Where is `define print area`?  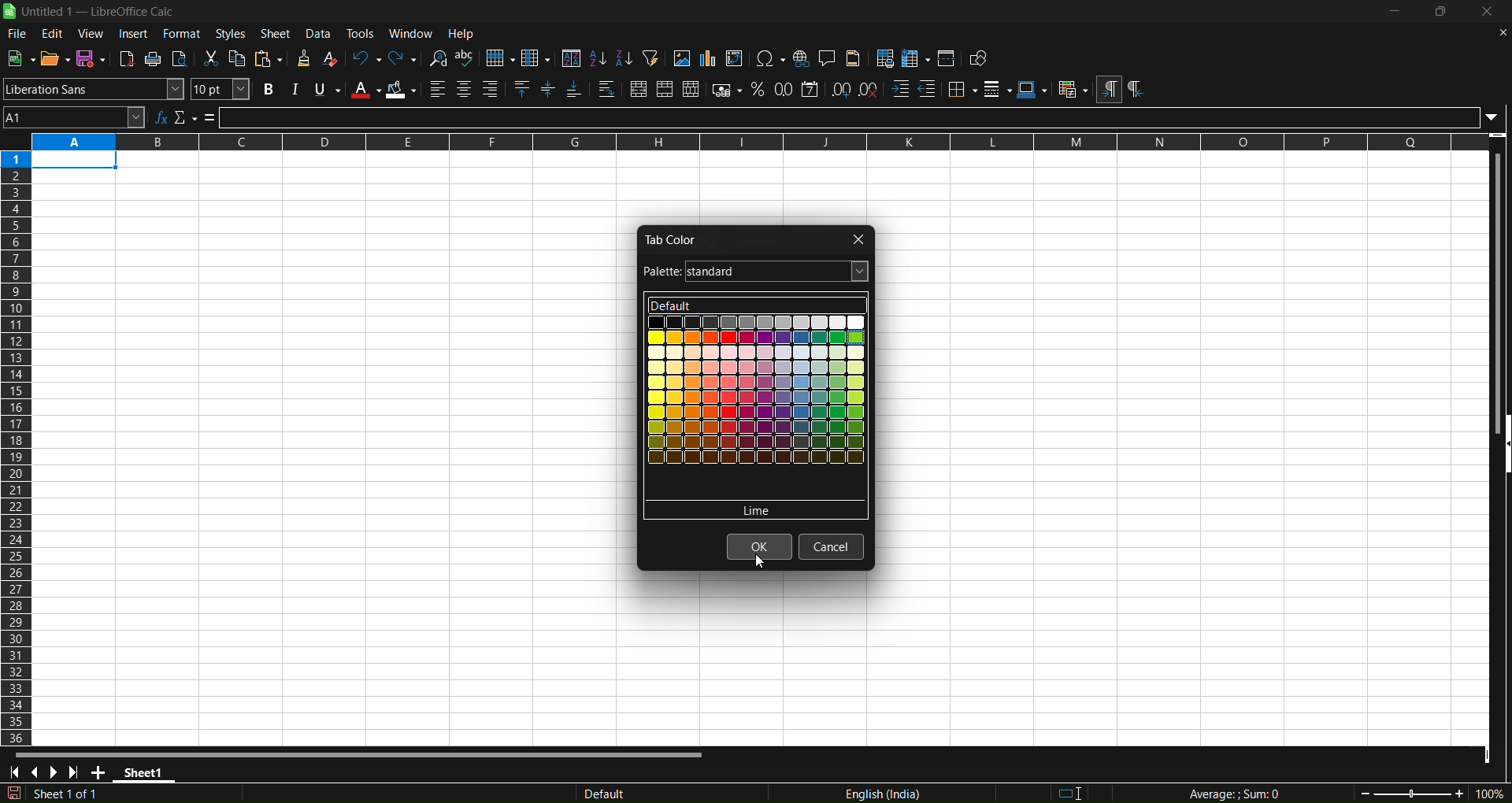
define print area is located at coordinates (886, 58).